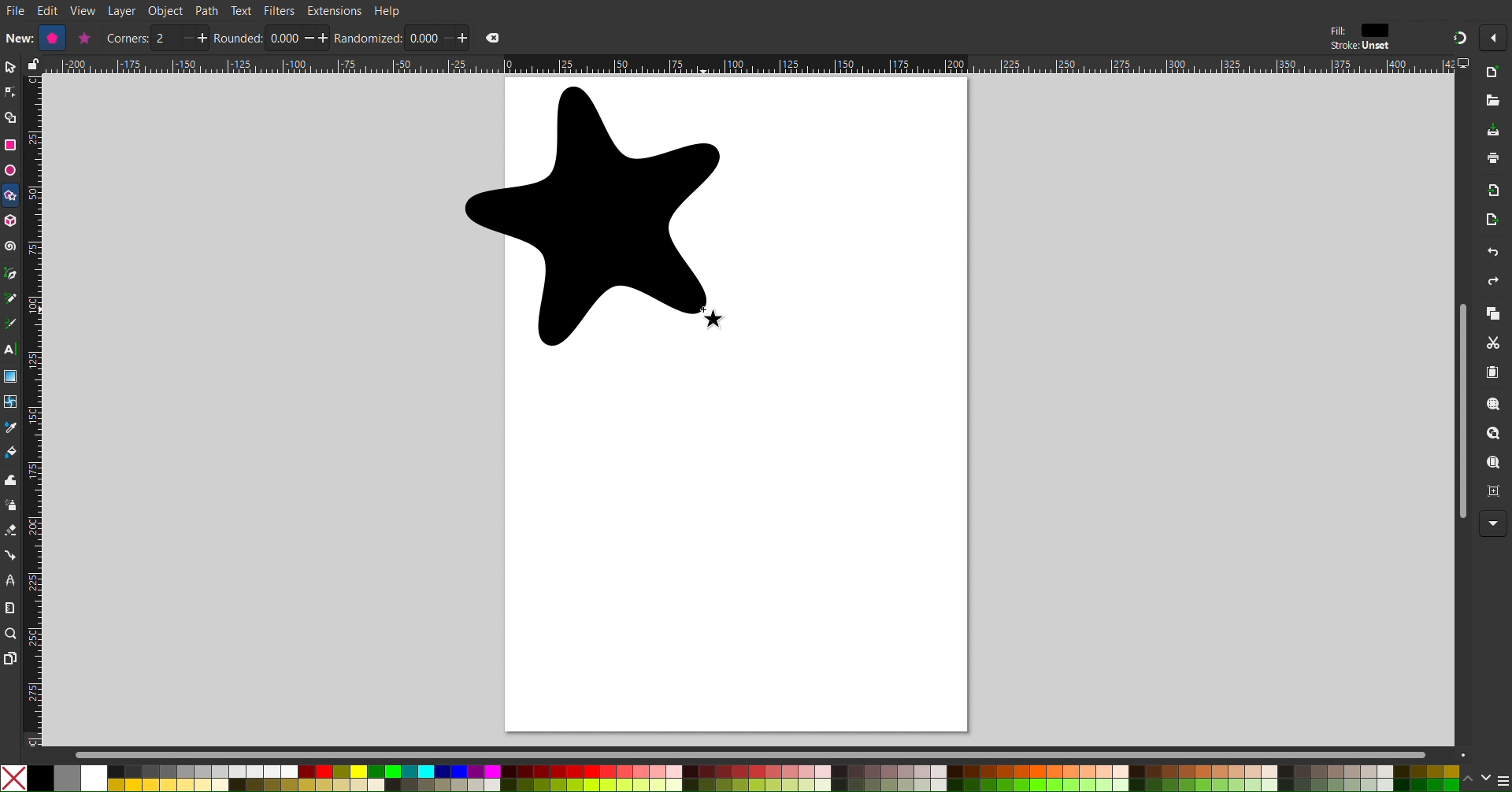 This screenshot has width=1512, height=792. What do you see at coordinates (1495, 495) in the screenshot?
I see `Zoom Center Page` at bounding box center [1495, 495].